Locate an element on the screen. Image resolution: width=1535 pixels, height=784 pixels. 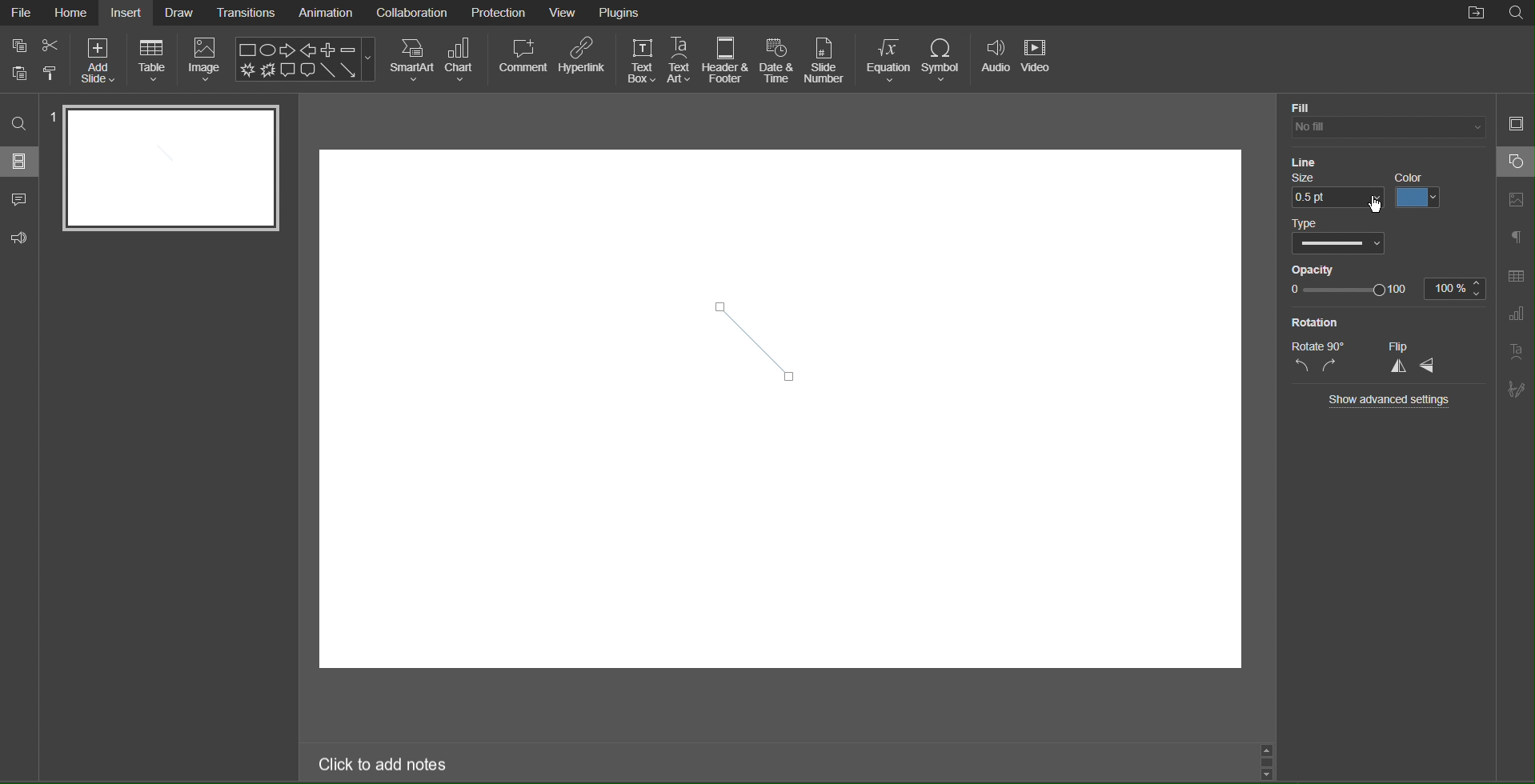
Text Art is located at coordinates (680, 61).